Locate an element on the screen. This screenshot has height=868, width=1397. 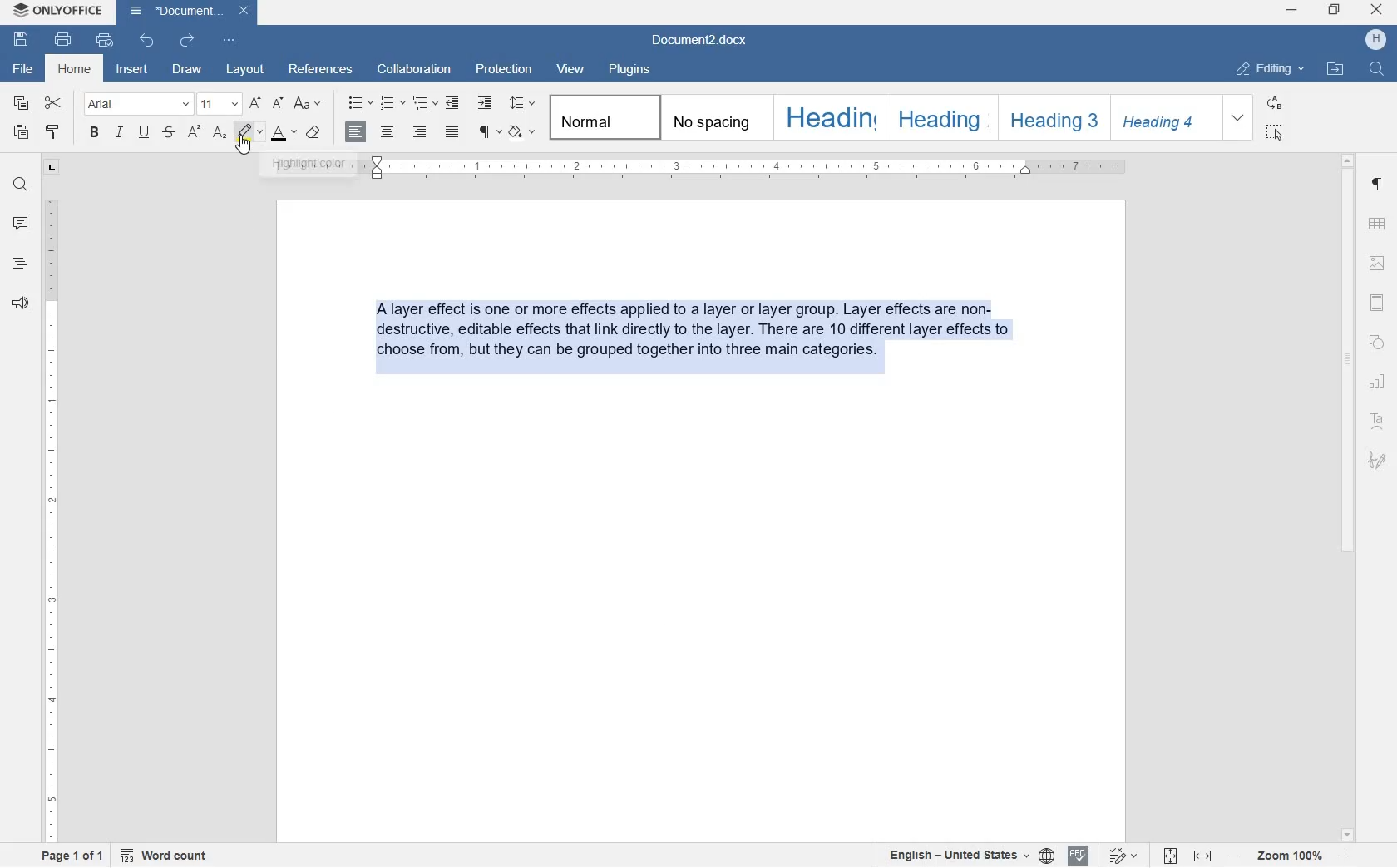
WORD COUNT is located at coordinates (165, 856).